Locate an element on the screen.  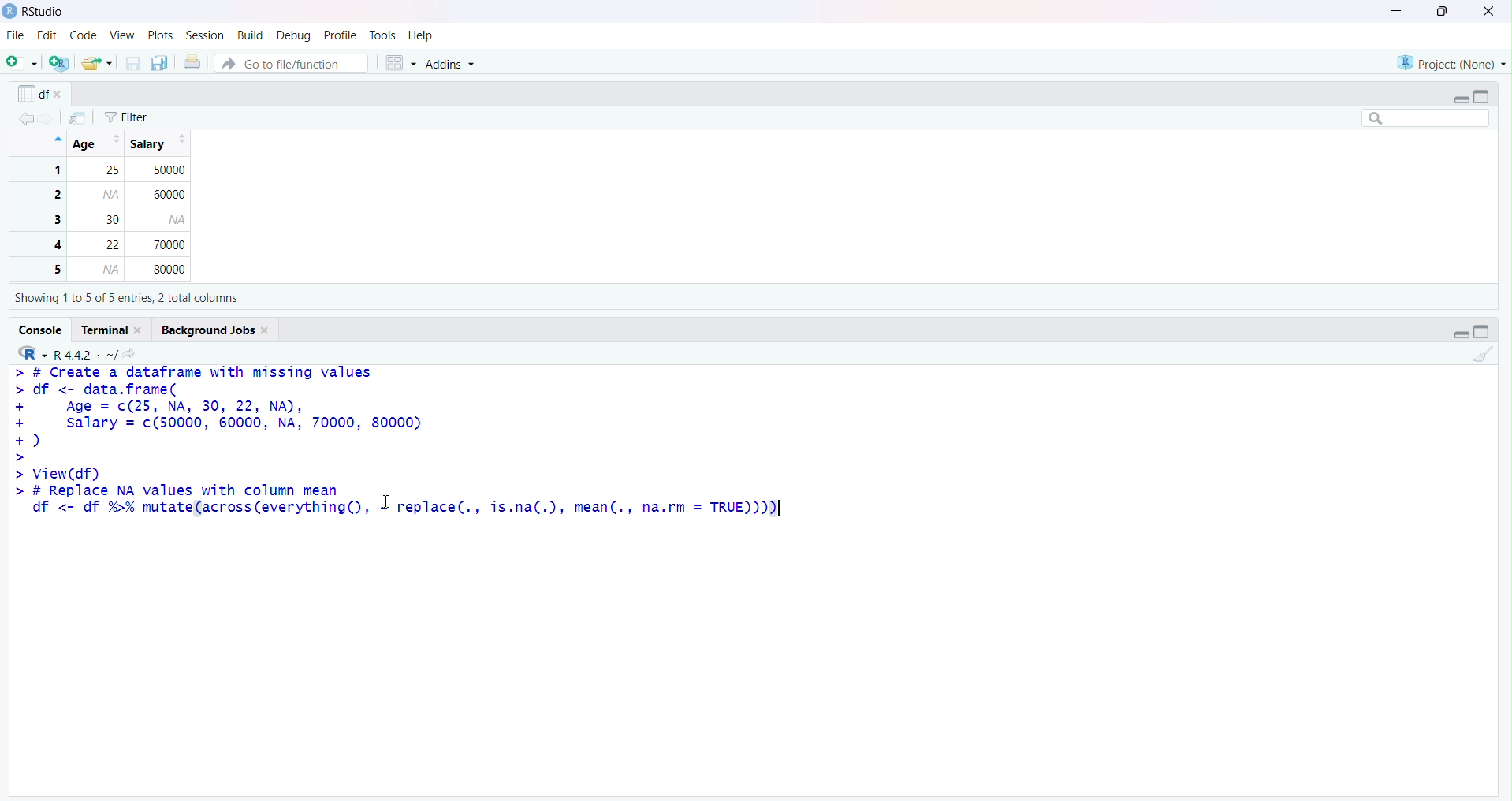
Text cursor is located at coordinates (394, 498).